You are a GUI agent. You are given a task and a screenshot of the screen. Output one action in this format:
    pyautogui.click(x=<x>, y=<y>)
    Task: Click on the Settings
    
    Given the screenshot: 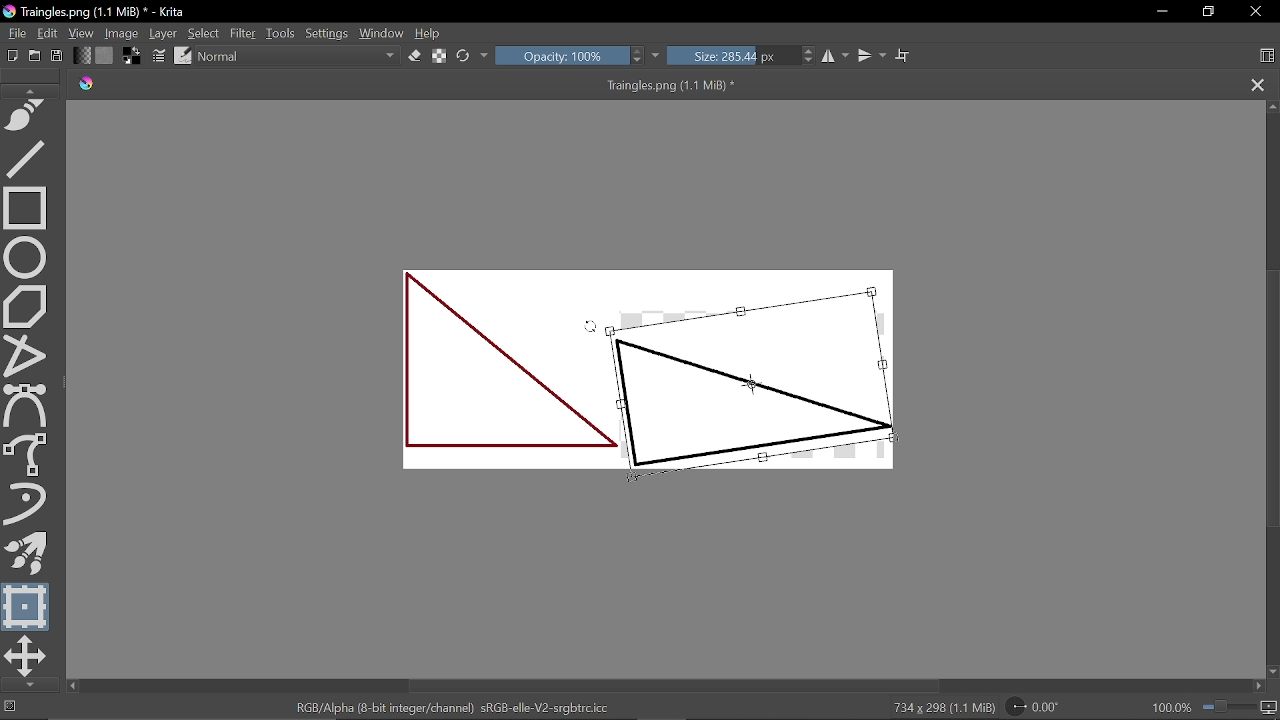 What is the action you would take?
    pyautogui.click(x=328, y=35)
    